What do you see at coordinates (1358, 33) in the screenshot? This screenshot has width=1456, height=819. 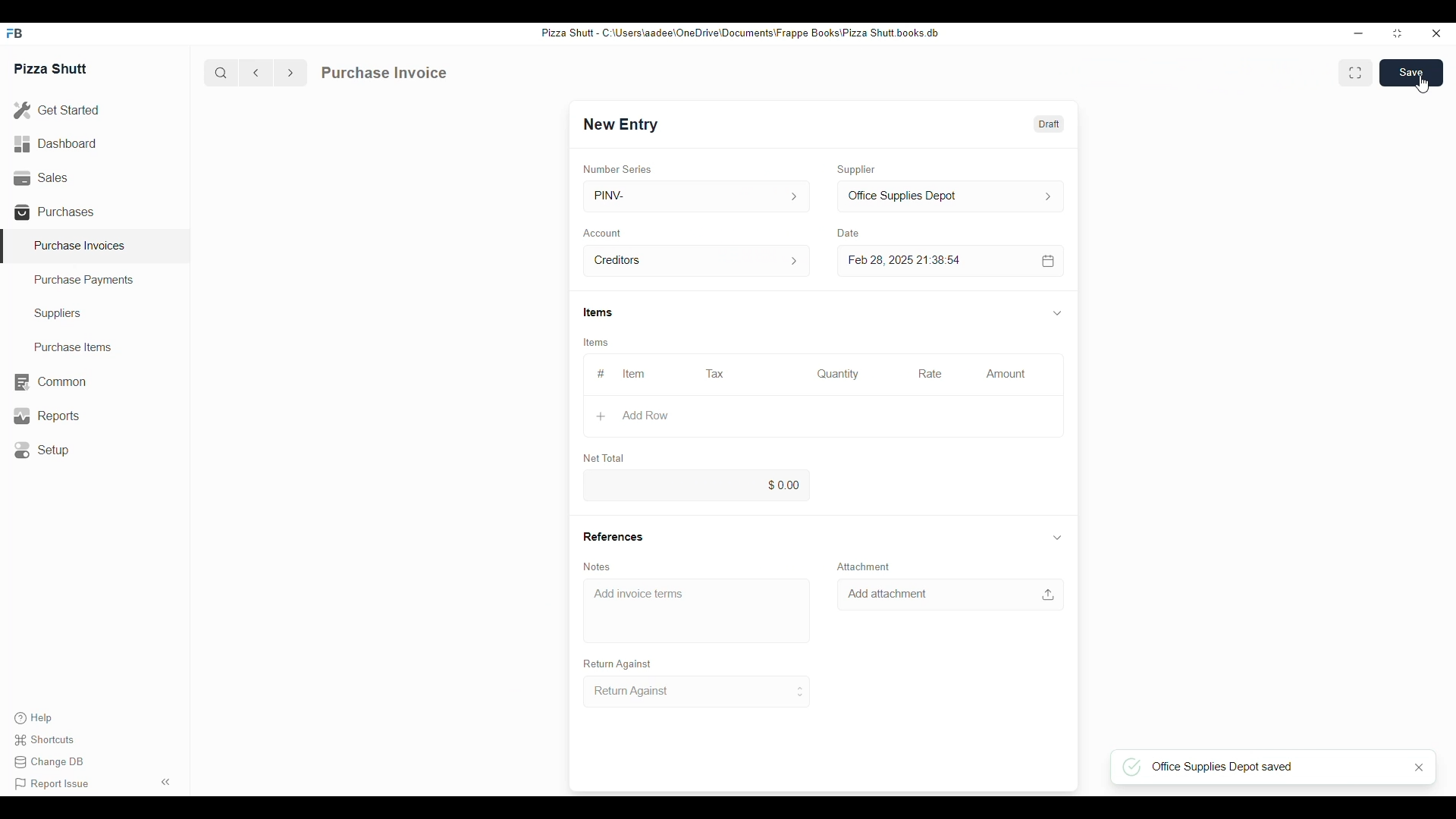 I see `minimize` at bounding box center [1358, 33].